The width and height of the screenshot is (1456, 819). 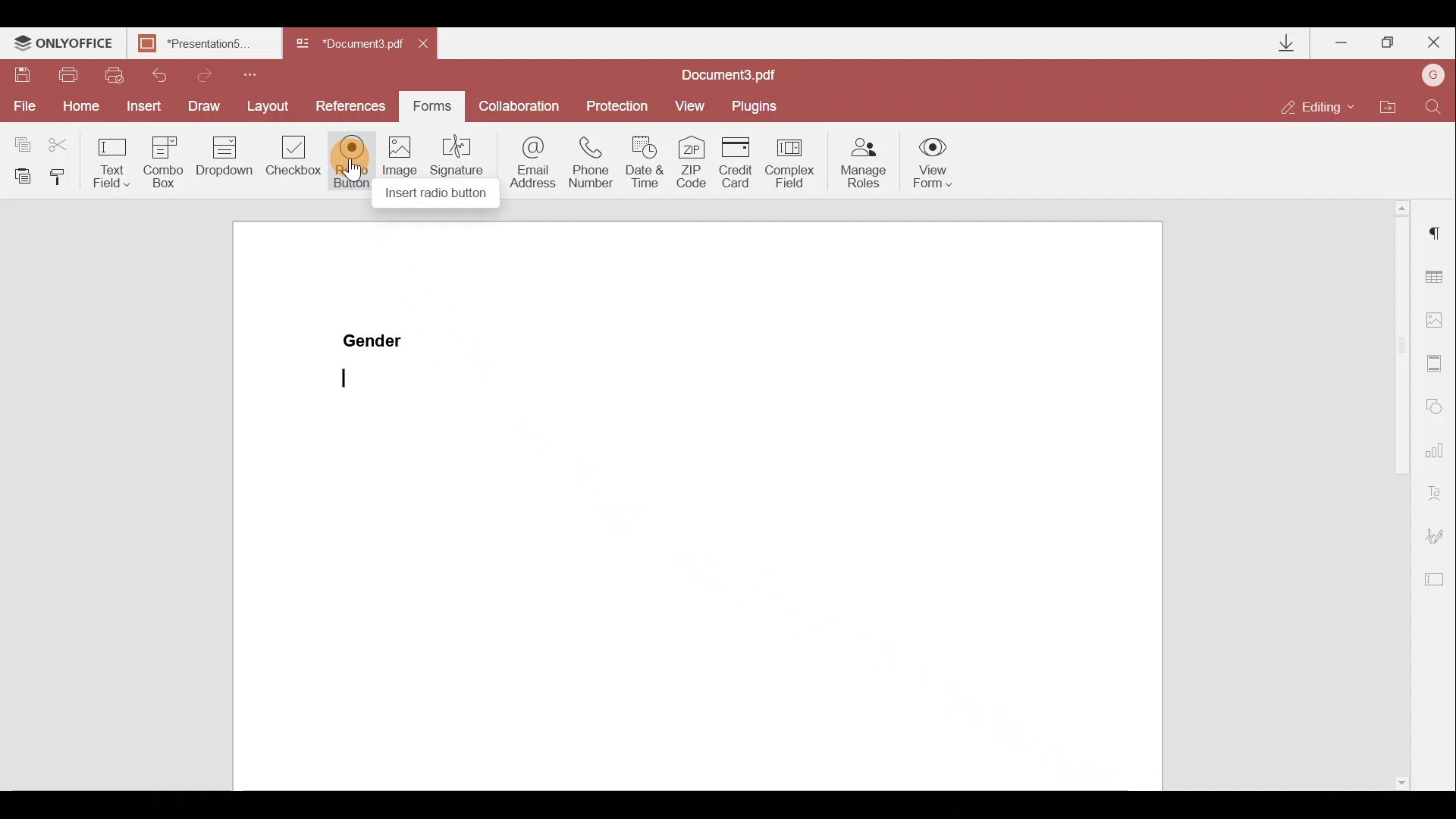 I want to click on Text field, so click(x=109, y=160).